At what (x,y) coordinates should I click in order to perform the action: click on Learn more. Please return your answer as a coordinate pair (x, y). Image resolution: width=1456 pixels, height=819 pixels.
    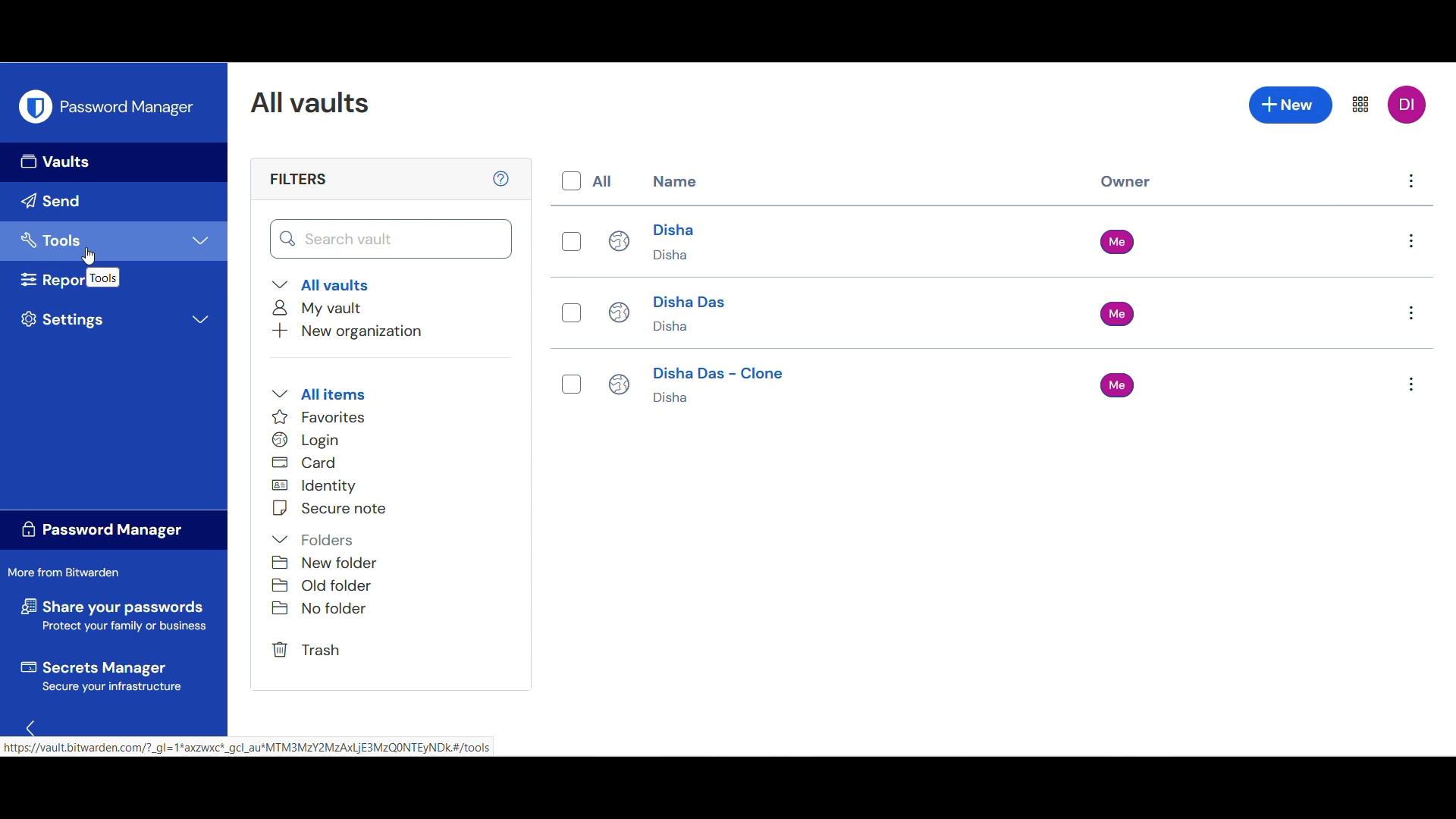
    Looking at the image, I should click on (501, 179).